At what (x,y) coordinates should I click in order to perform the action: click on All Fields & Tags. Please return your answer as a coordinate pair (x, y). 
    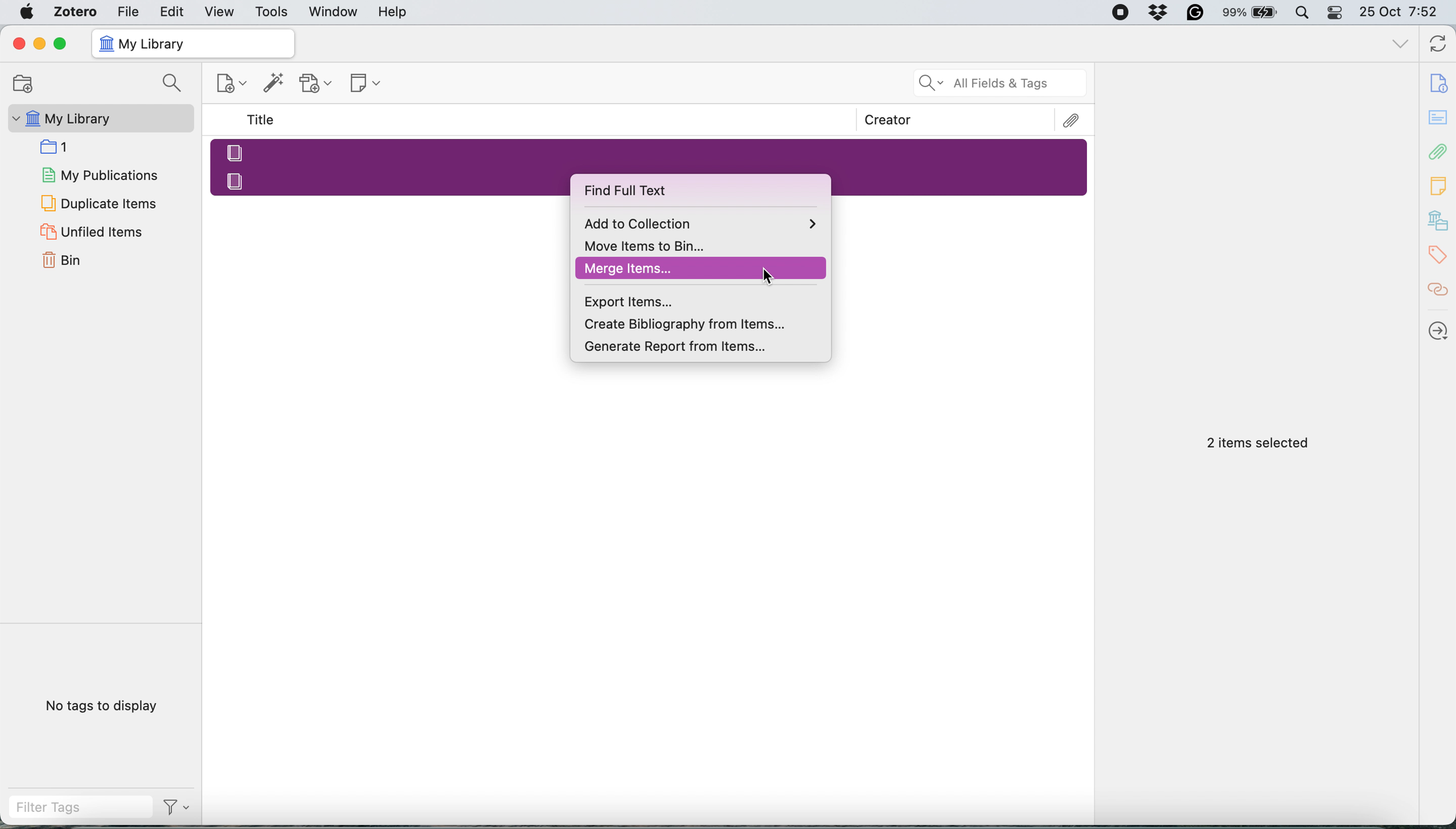
    Looking at the image, I should click on (1001, 83).